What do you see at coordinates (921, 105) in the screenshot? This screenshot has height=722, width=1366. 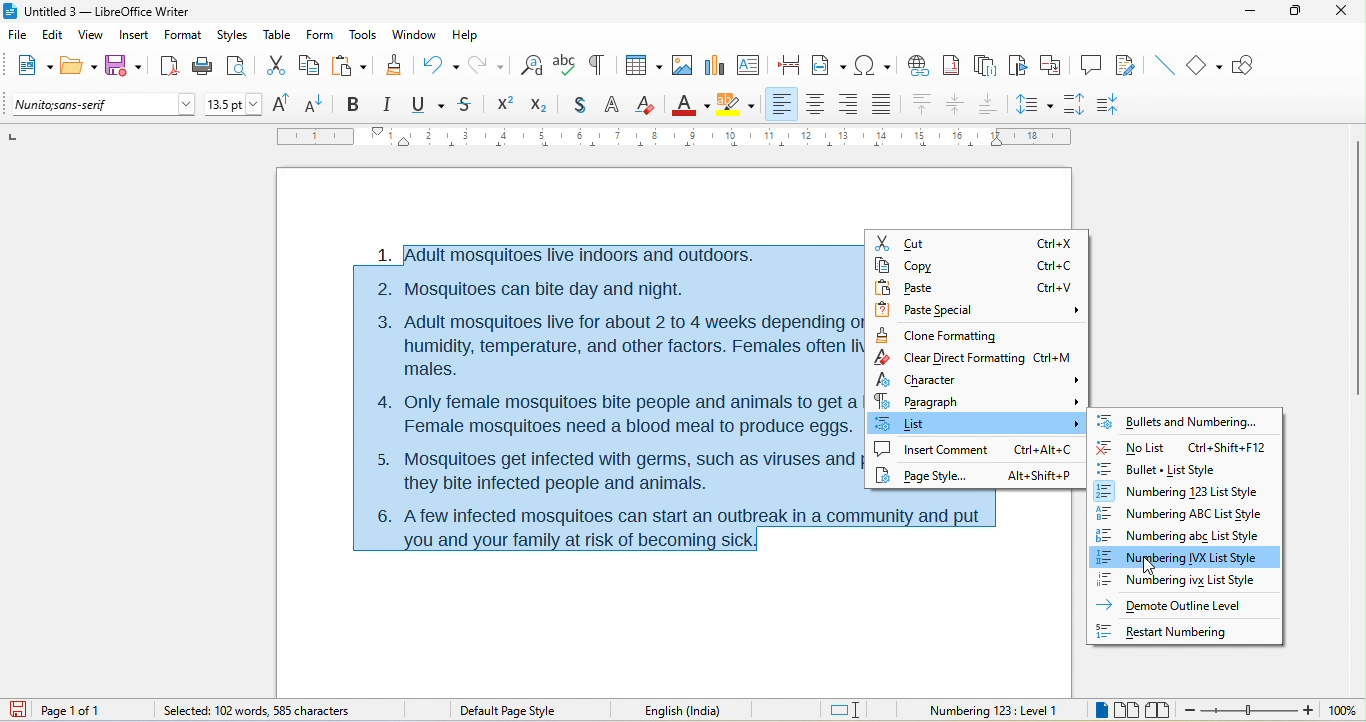 I see `align top` at bounding box center [921, 105].